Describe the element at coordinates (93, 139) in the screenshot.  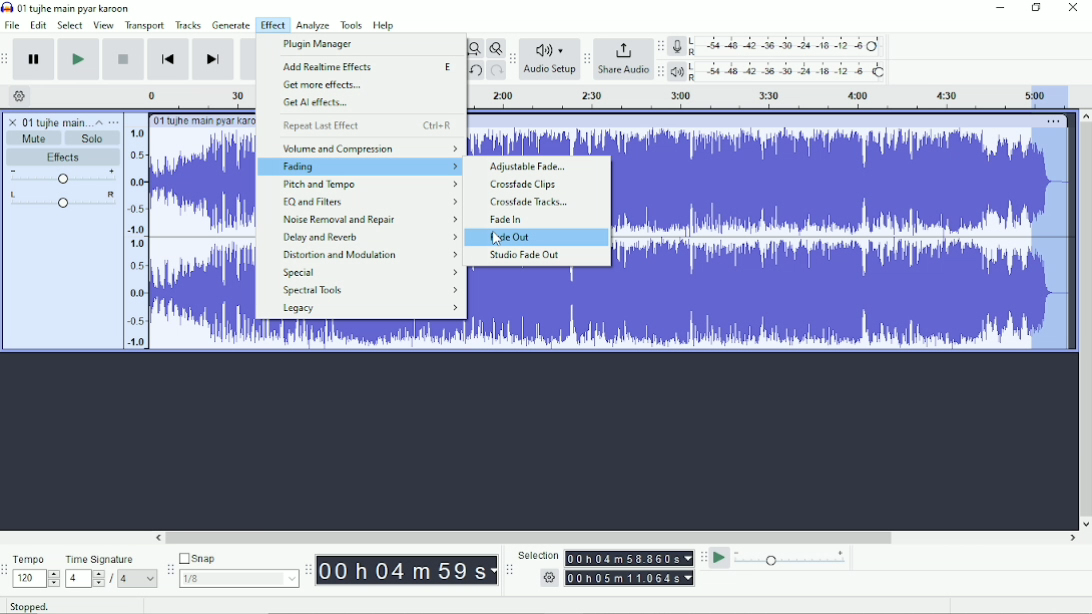
I see `Solo` at that location.